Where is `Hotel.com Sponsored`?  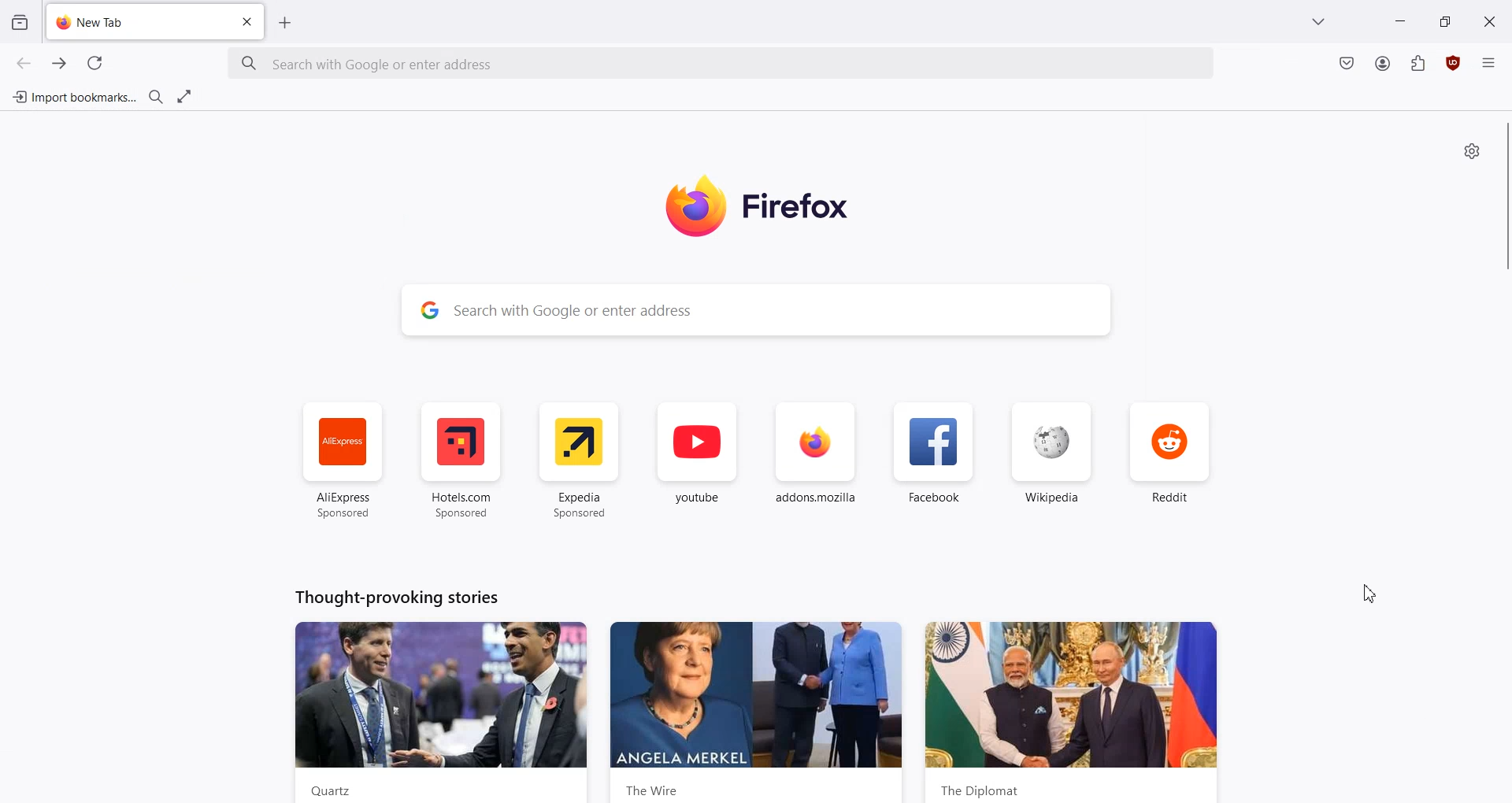
Hotel.com Sponsored is located at coordinates (465, 460).